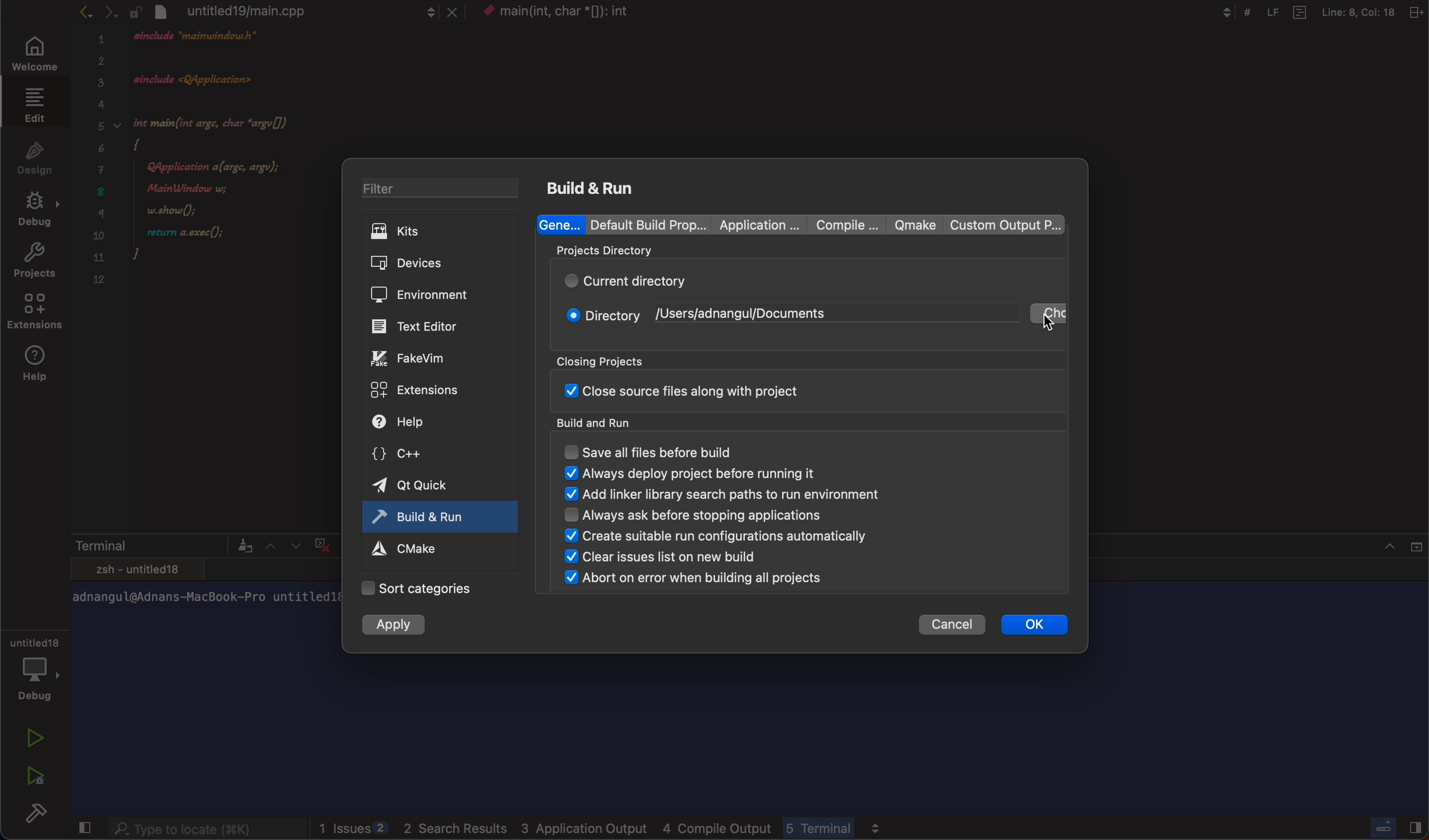 The height and width of the screenshot is (840, 1429). I want to click on build and run , so click(606, 422).